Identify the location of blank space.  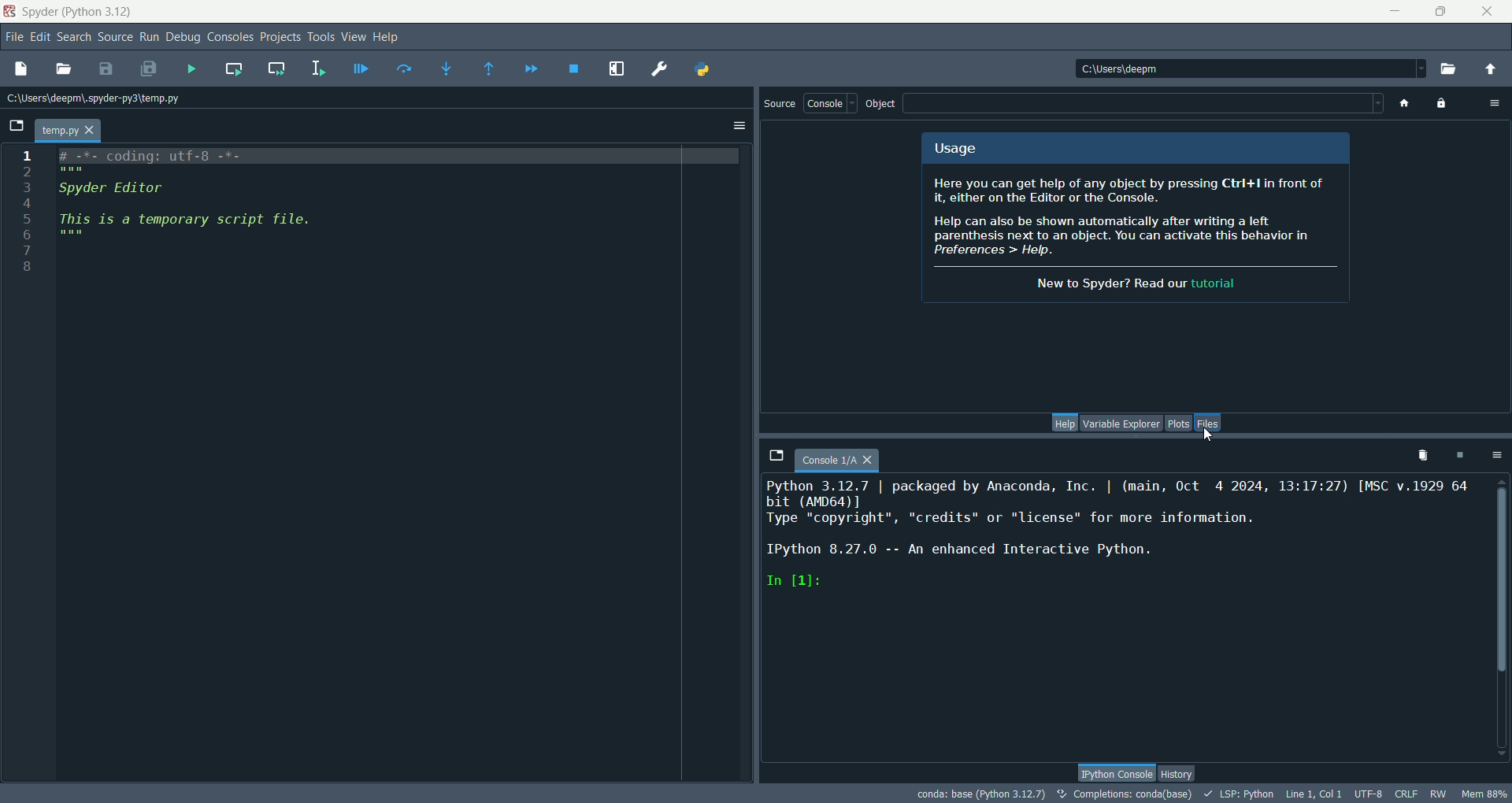
(1147, 105).